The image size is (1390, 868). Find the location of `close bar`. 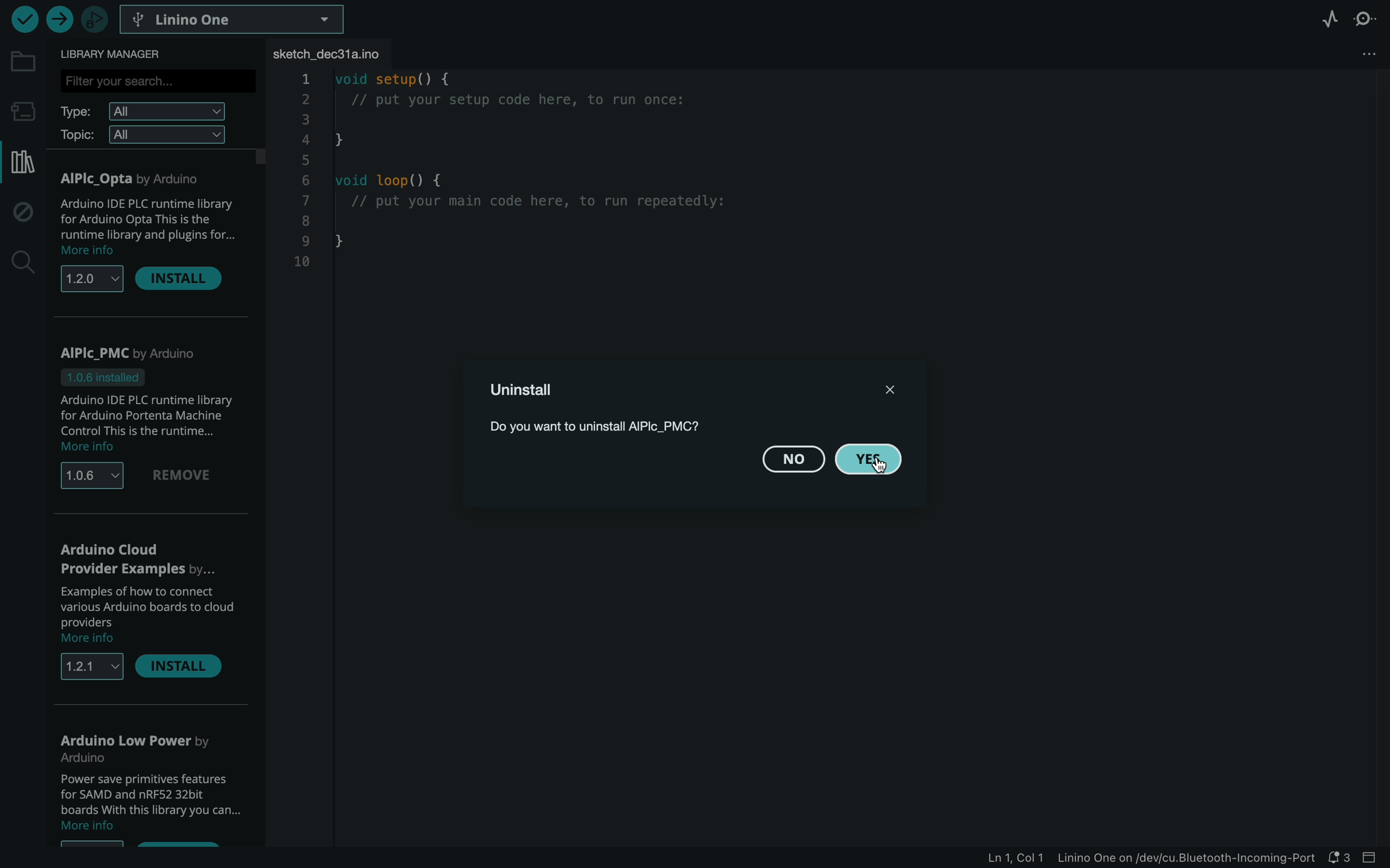

close bar is located at coordinates (1373, 858).